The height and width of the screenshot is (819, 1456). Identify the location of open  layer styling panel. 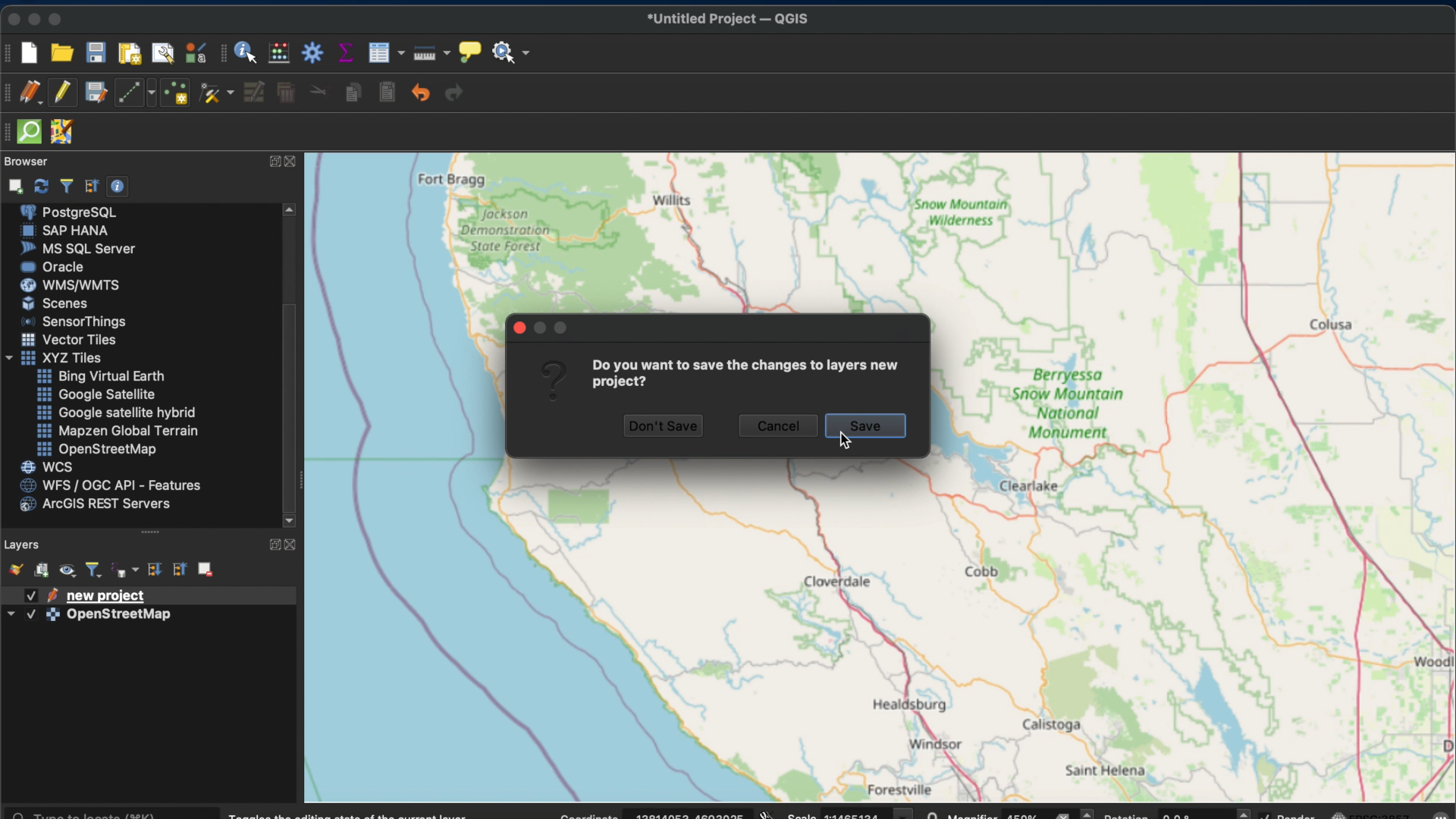
(13, 568).